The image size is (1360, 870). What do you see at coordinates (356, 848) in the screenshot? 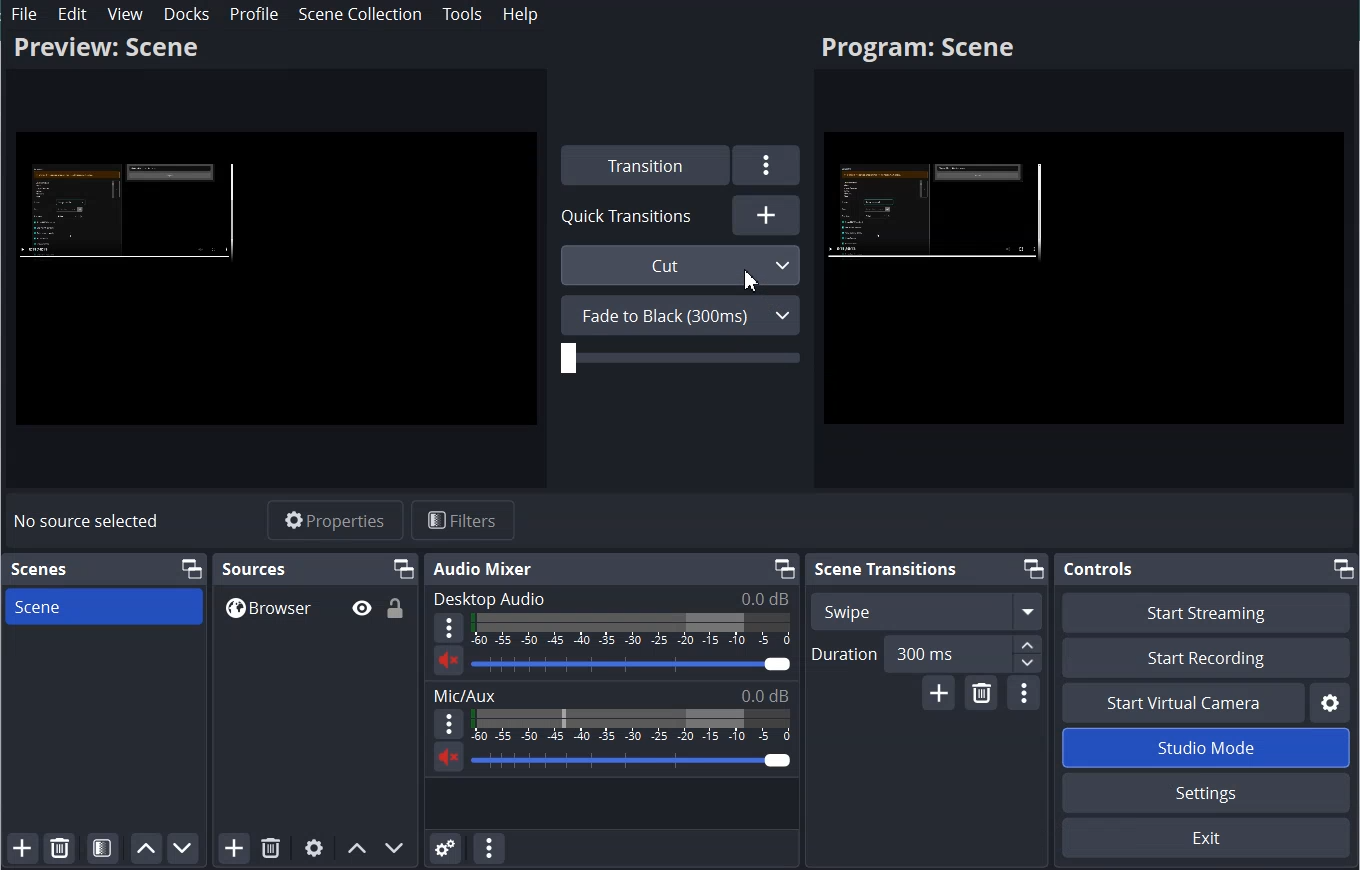
I see `Move Source Up` at bounding box center [356, 848].